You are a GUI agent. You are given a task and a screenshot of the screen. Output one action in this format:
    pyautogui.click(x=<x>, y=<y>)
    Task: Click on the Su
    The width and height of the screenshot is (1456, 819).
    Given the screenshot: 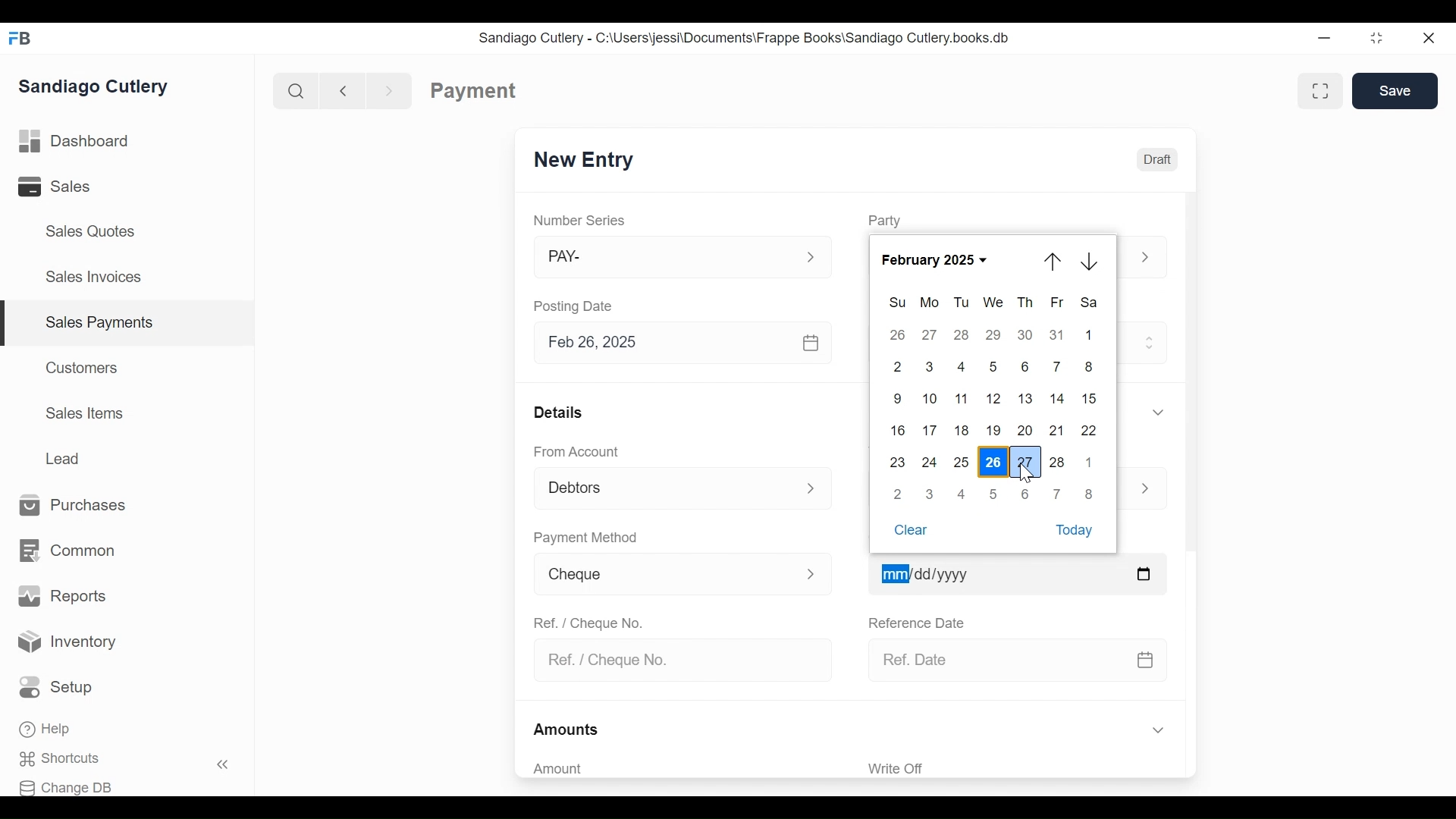 What is the action you would take?
    pyautogui.click(x=898, y=302)
    